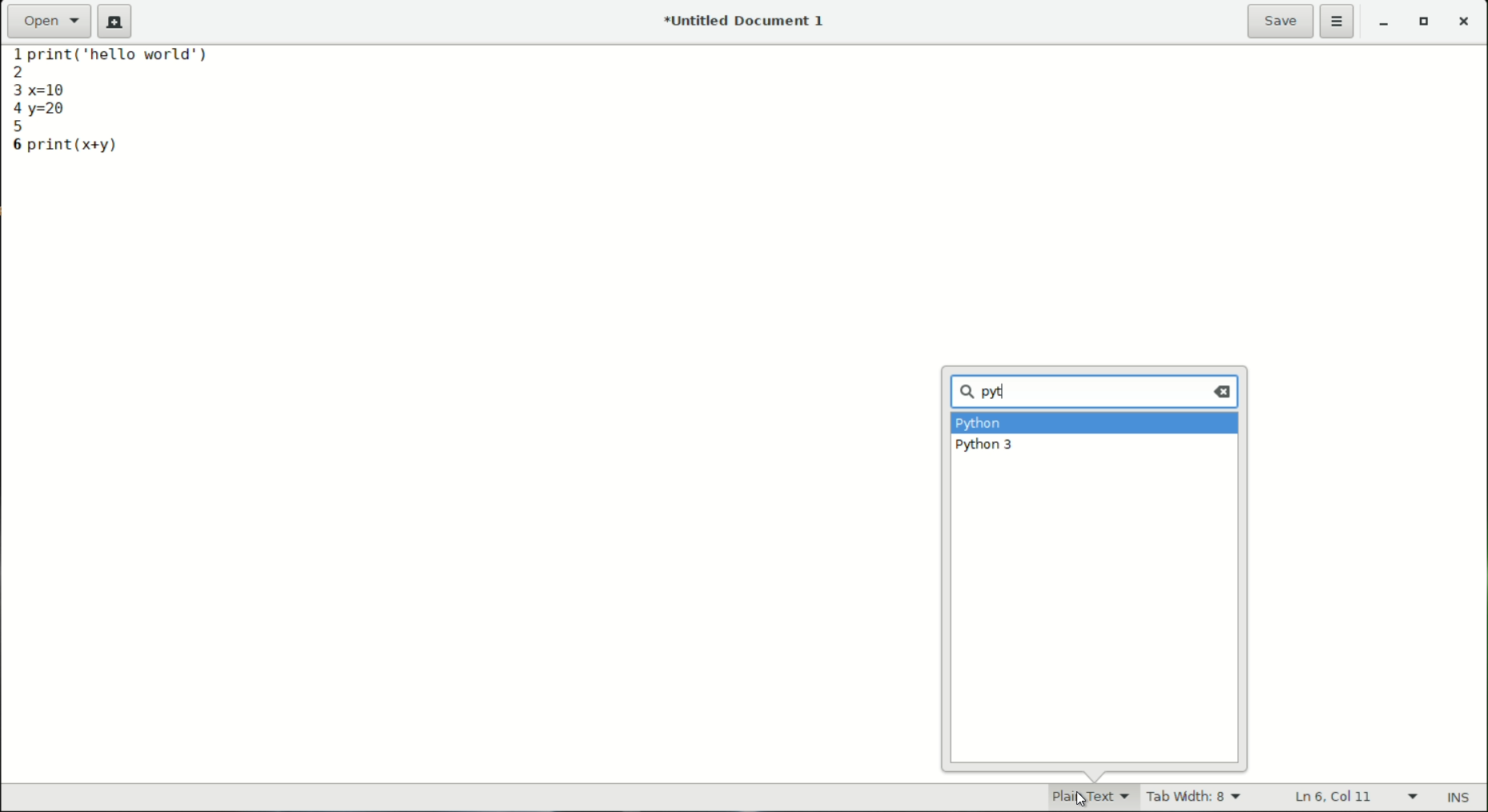  Describe the element at coordinates (748, 20) in the screenshot. I see `file name` at that location.